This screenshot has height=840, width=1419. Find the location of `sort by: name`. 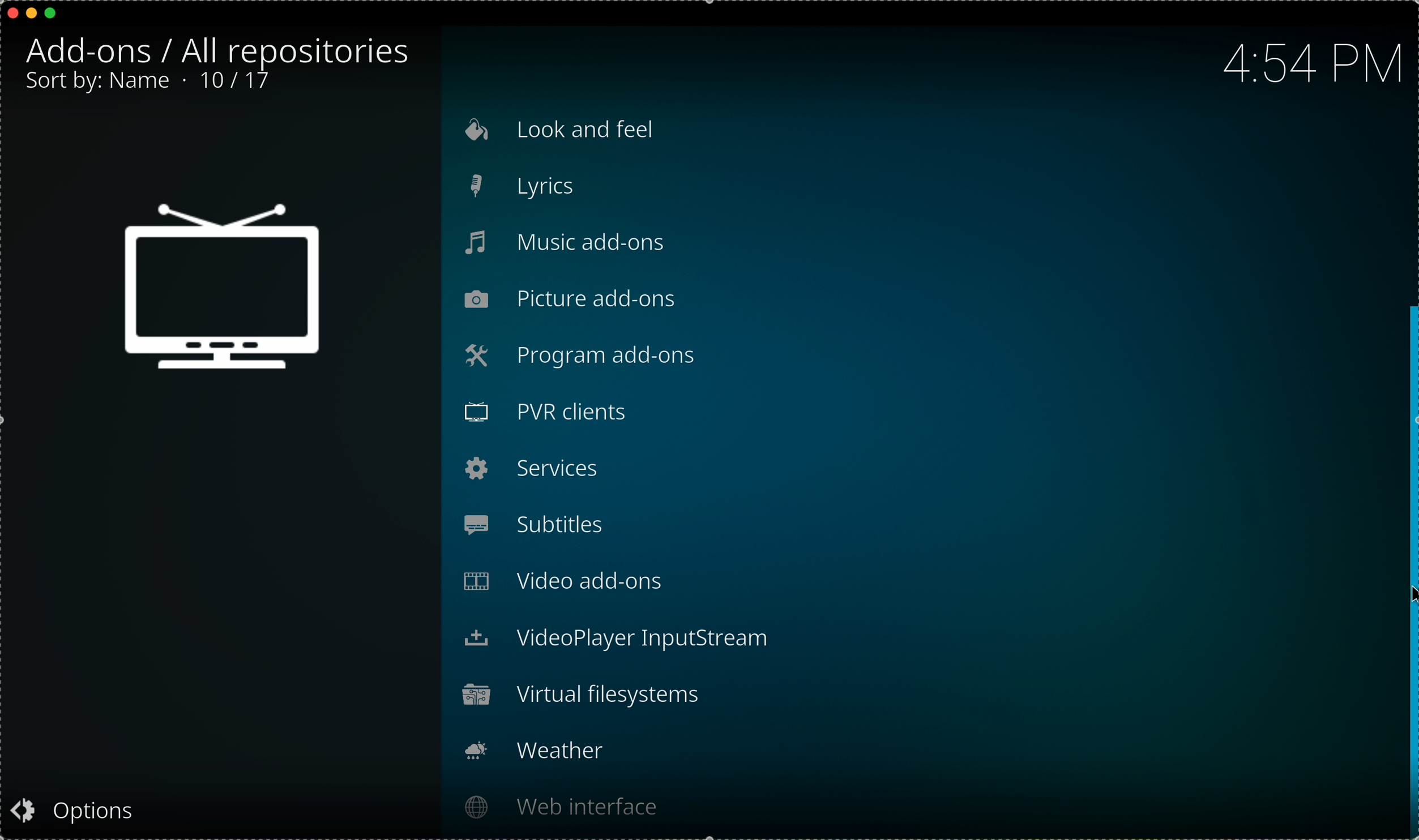

sort by: name is located at coordinates (99, 83).